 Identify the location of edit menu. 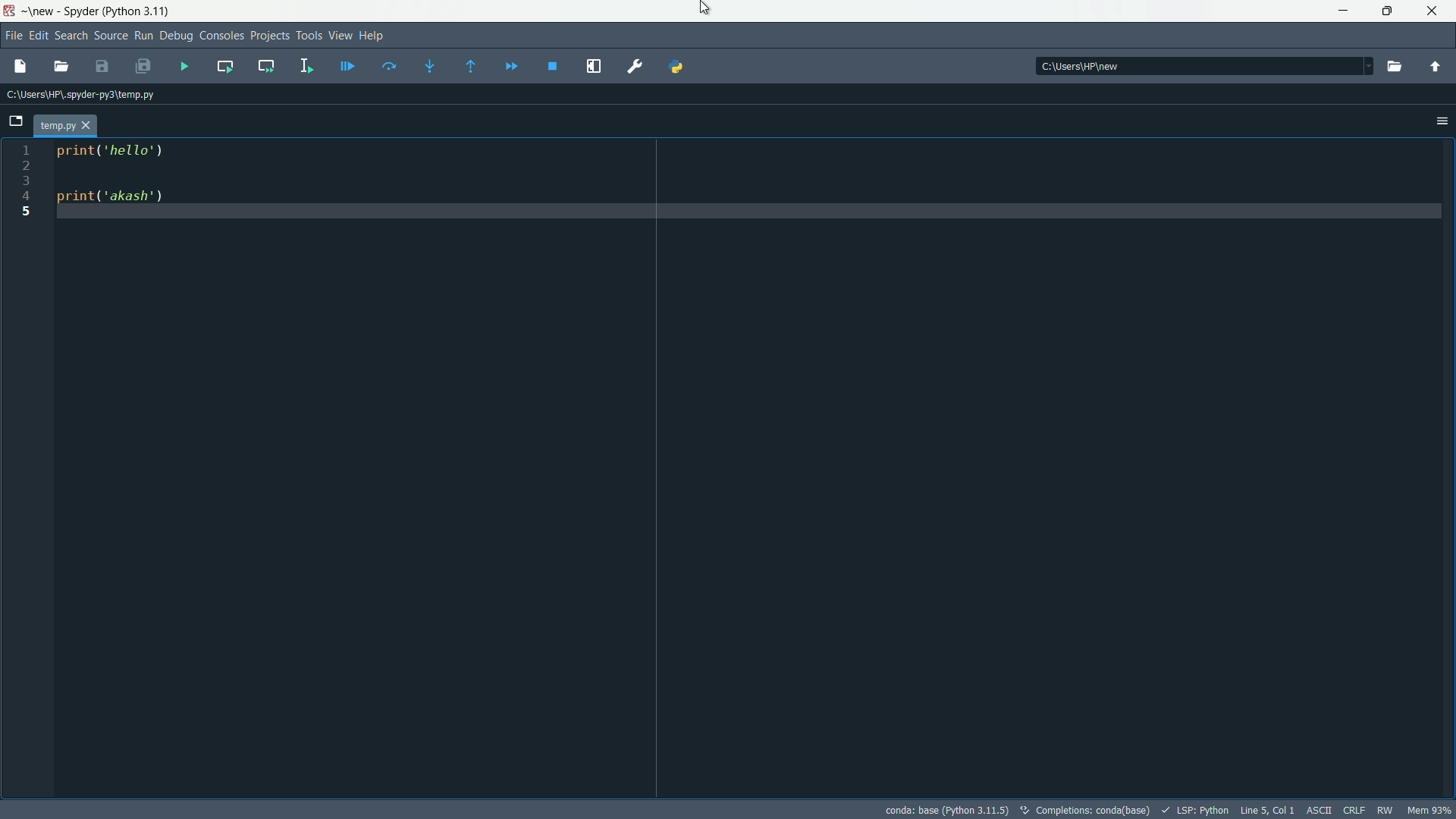
(39, 35).